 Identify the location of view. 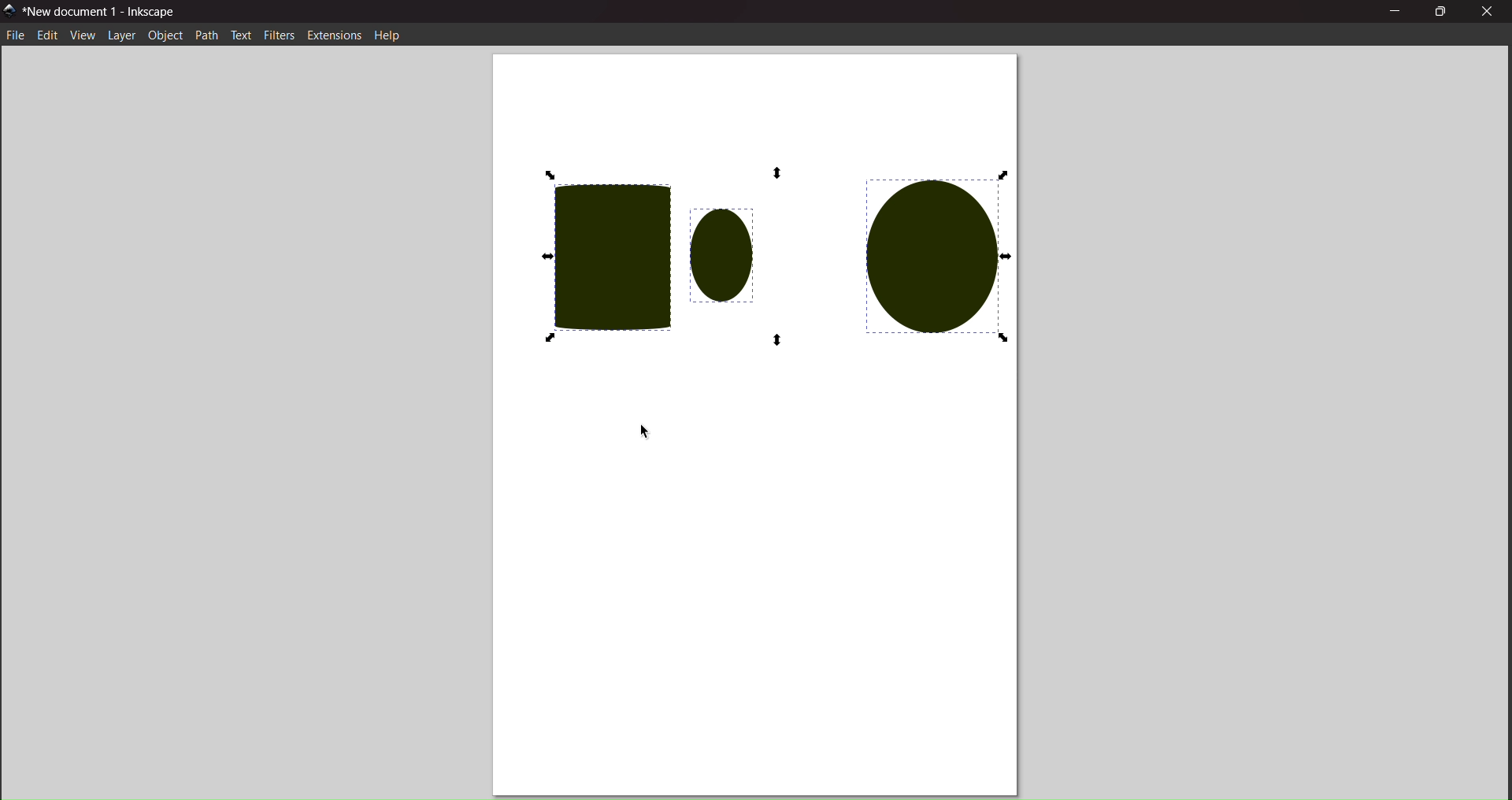
(82, 36).